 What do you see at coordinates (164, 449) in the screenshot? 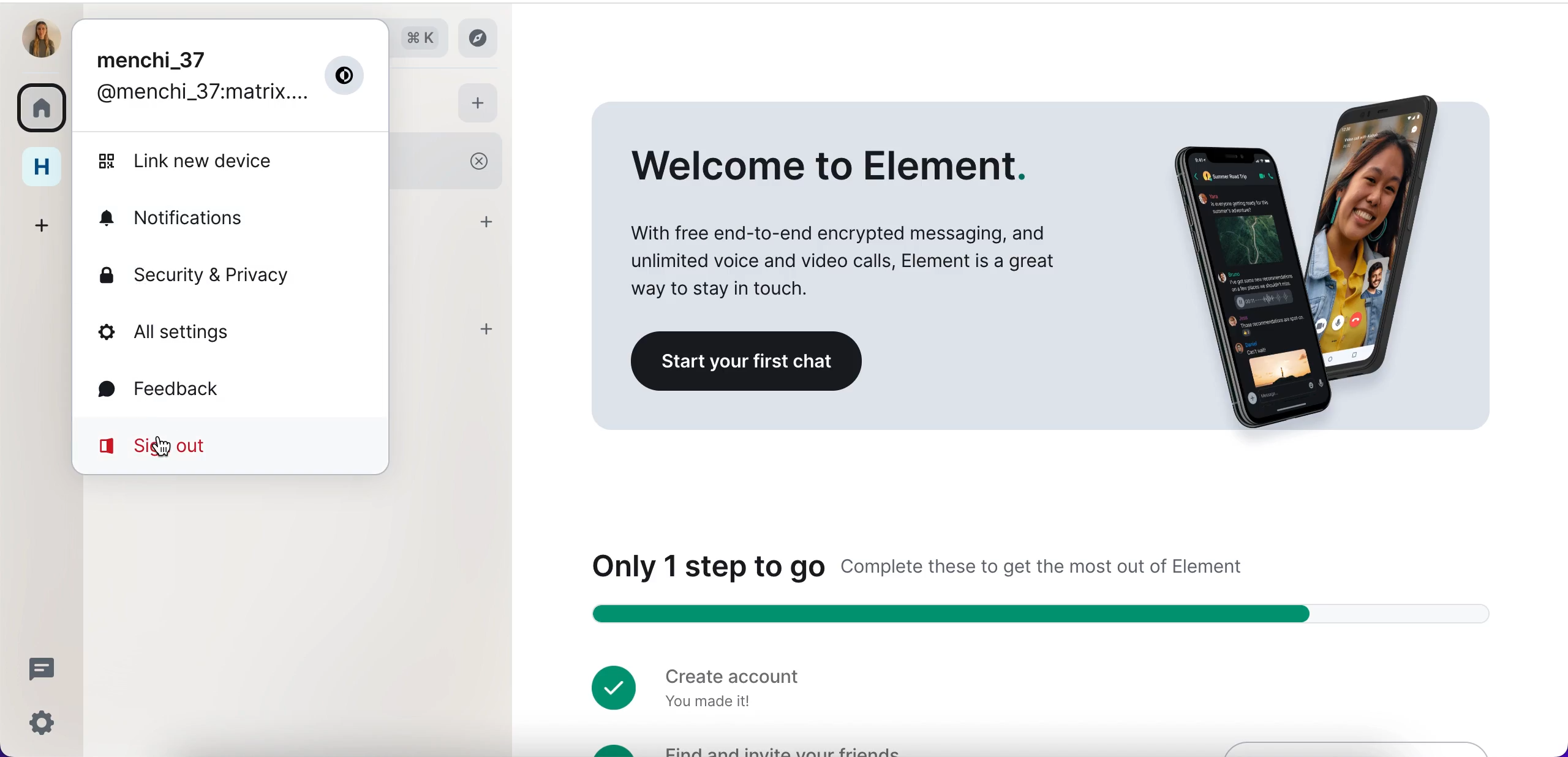
I see `cursor on sign out` at bounding box center [164, 449].